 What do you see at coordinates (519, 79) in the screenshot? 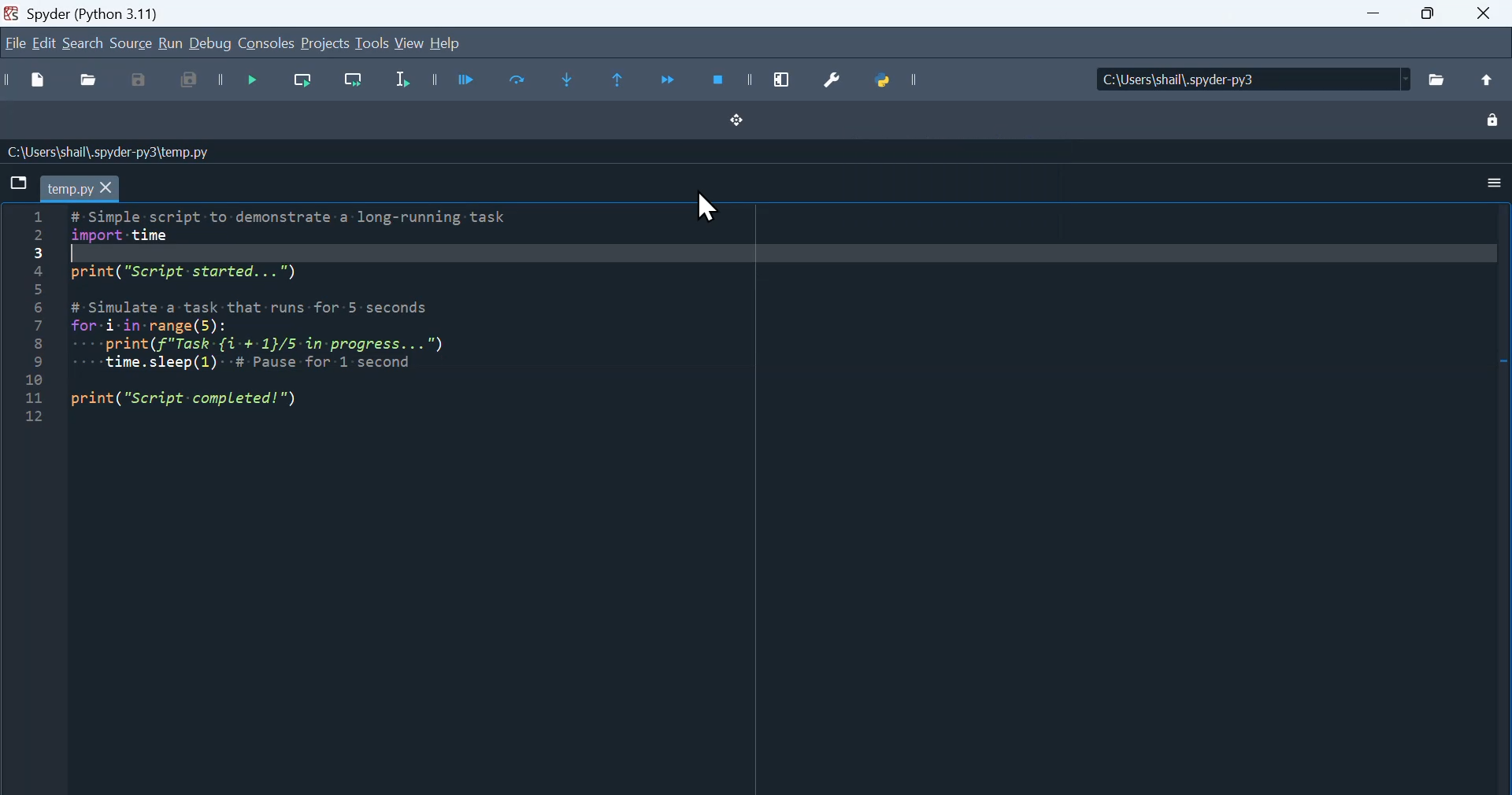
I see `Run current cell` at bounding box center [519, 79].